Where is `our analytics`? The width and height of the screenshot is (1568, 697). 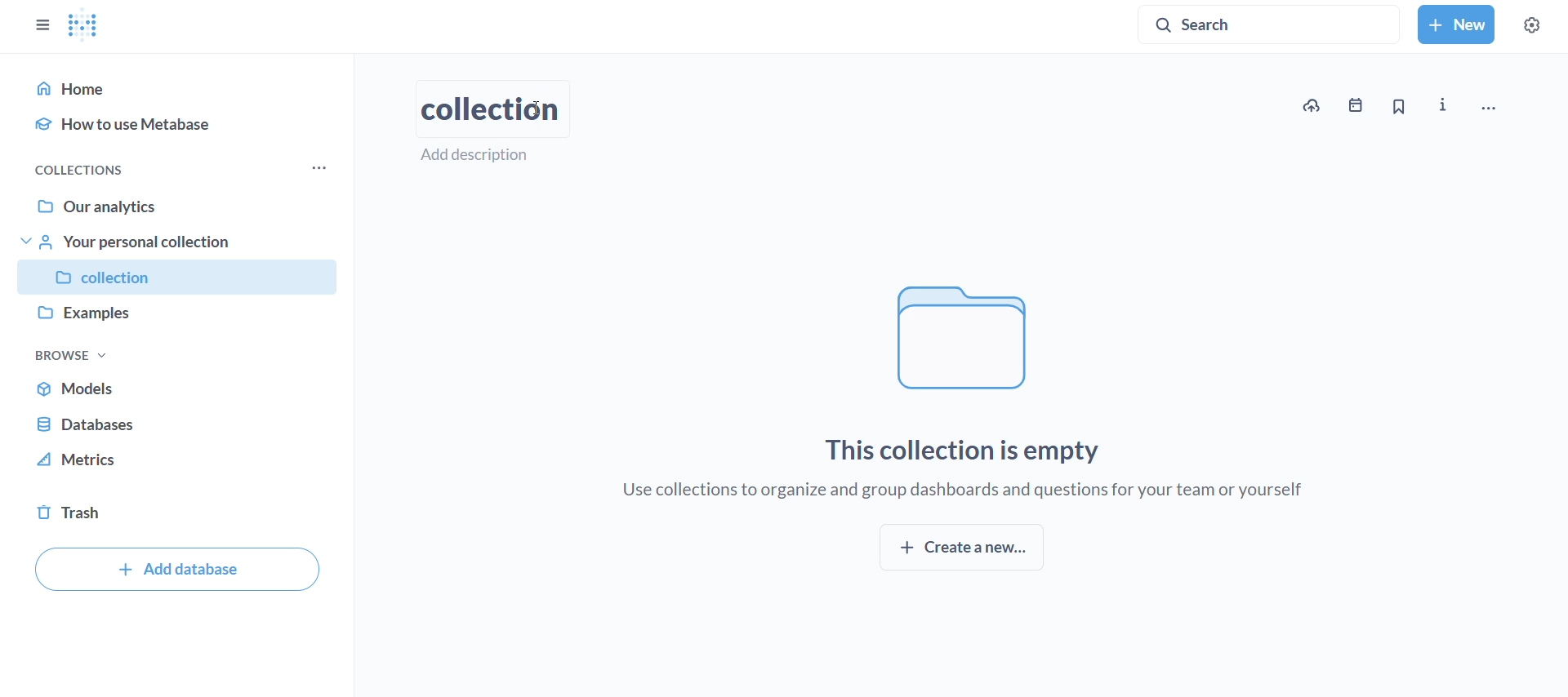
our analytics is located at coordinates (180, 206).